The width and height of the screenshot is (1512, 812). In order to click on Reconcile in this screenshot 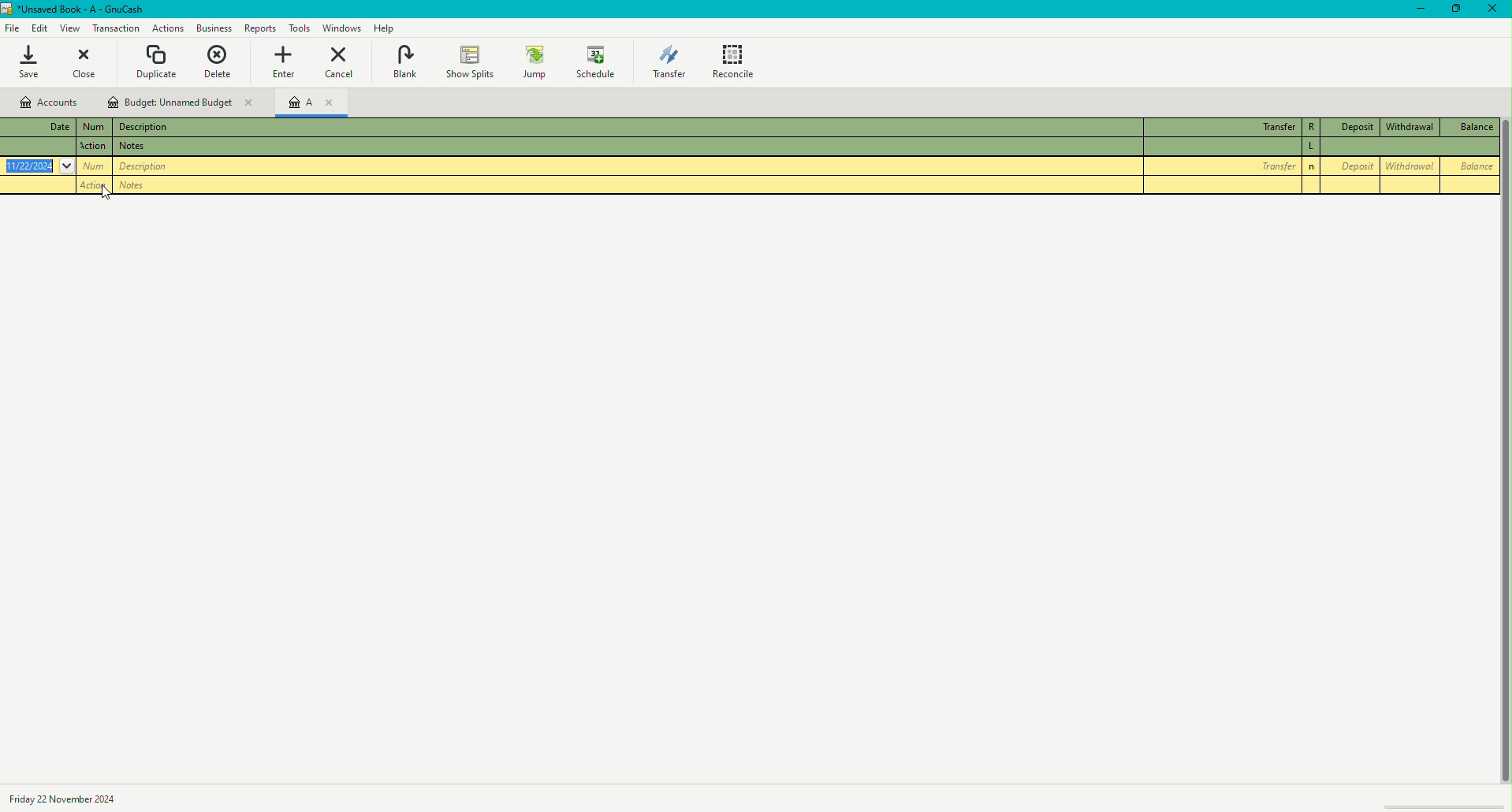, I will do `click(736, 60)`.